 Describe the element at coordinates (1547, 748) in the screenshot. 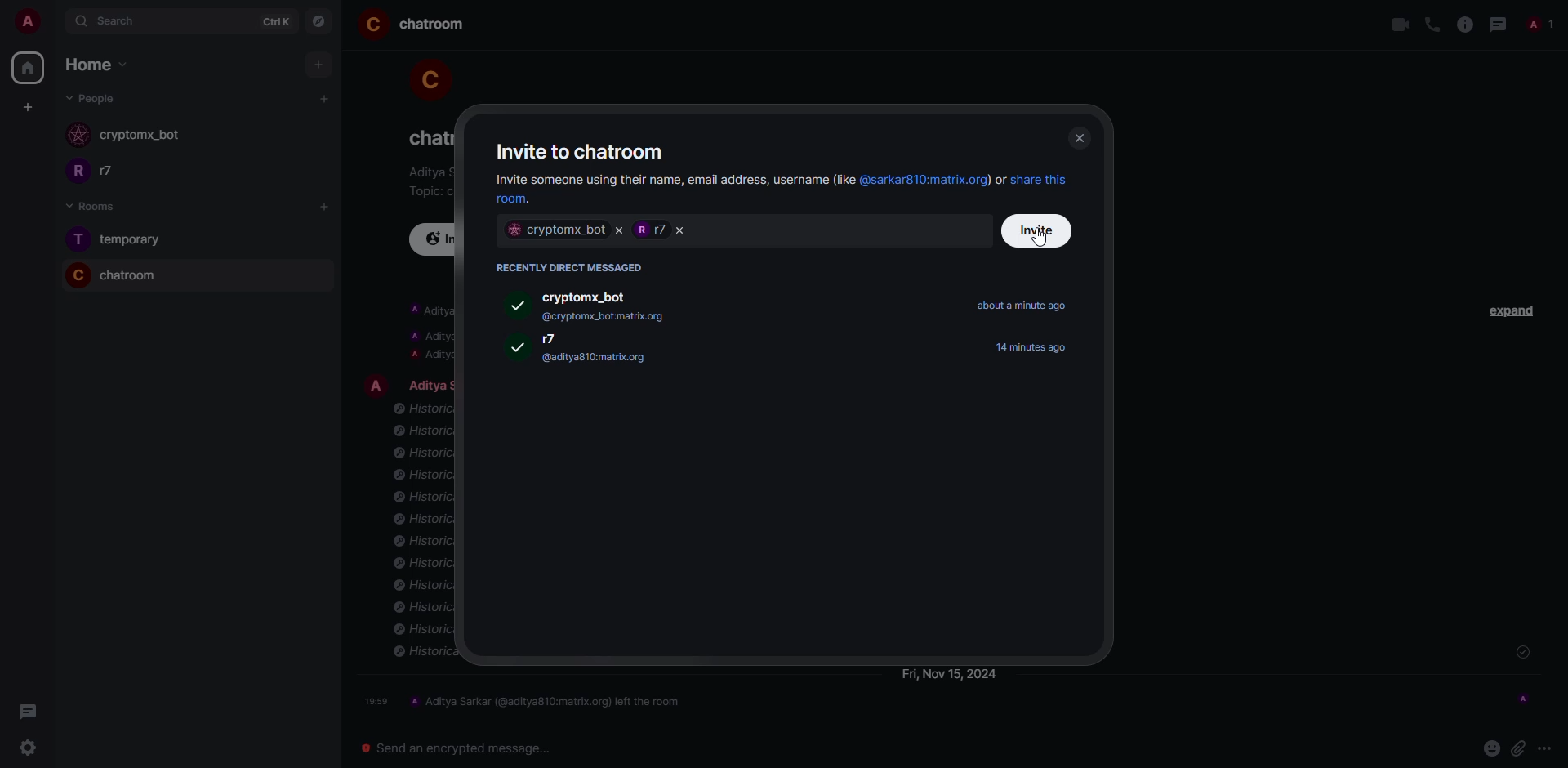

I see `more` at that location.